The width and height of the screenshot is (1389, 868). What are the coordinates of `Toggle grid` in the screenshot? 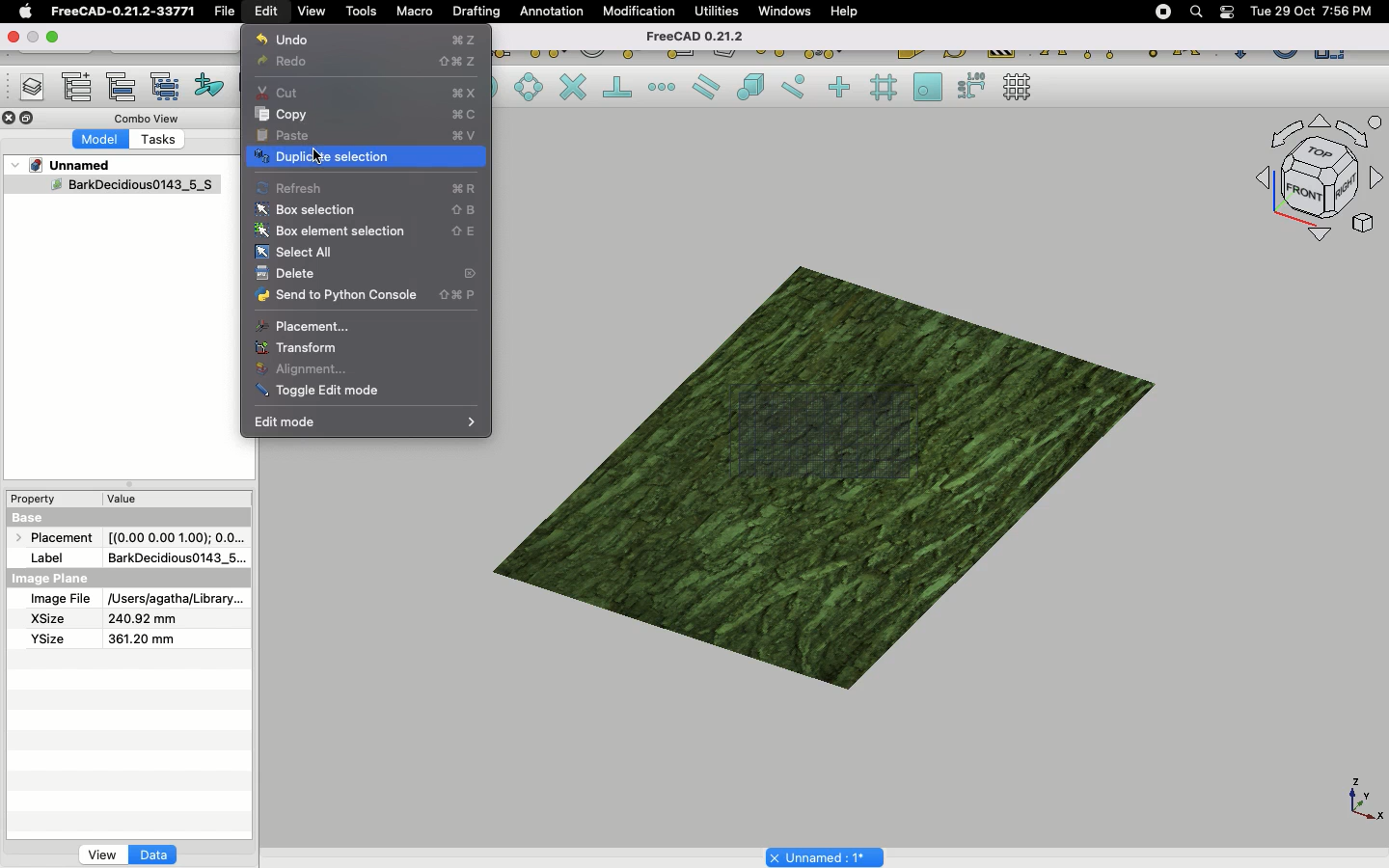 It's located at (1019, 87).